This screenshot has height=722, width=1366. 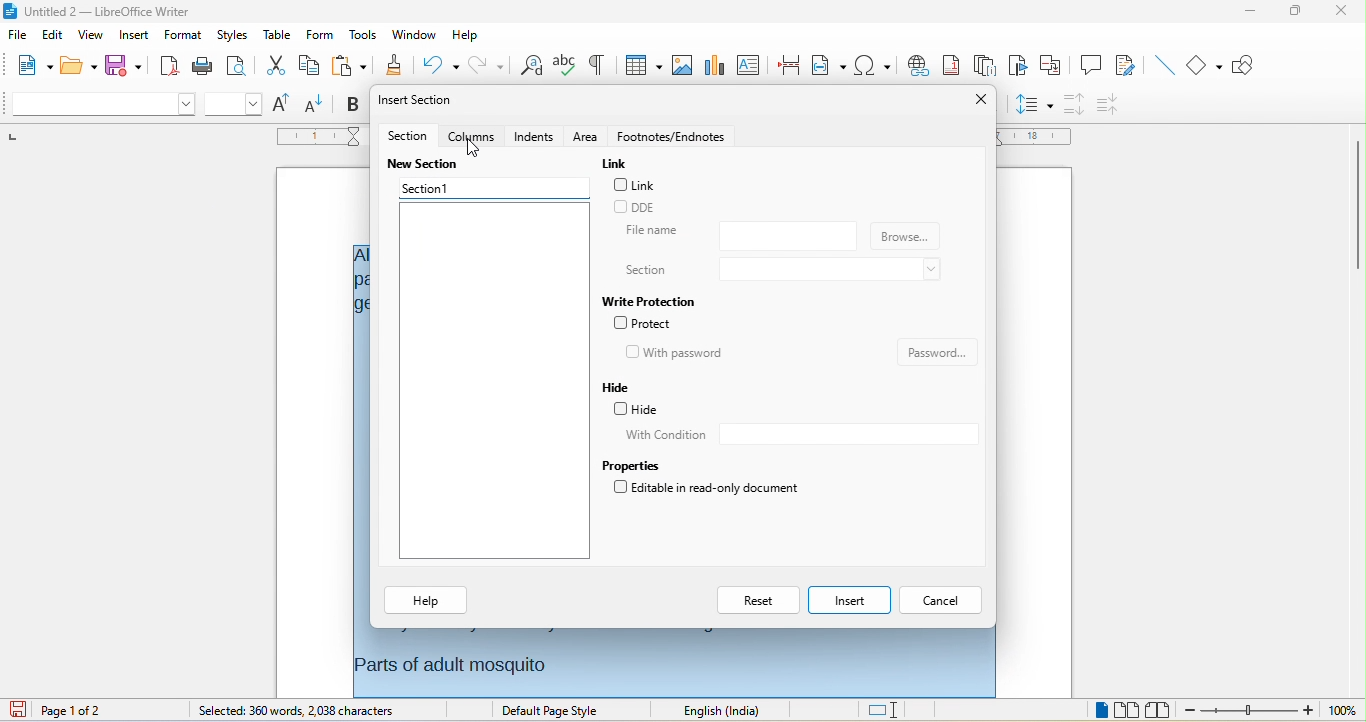 I want to click on insert section, so click(x=417, y=100).